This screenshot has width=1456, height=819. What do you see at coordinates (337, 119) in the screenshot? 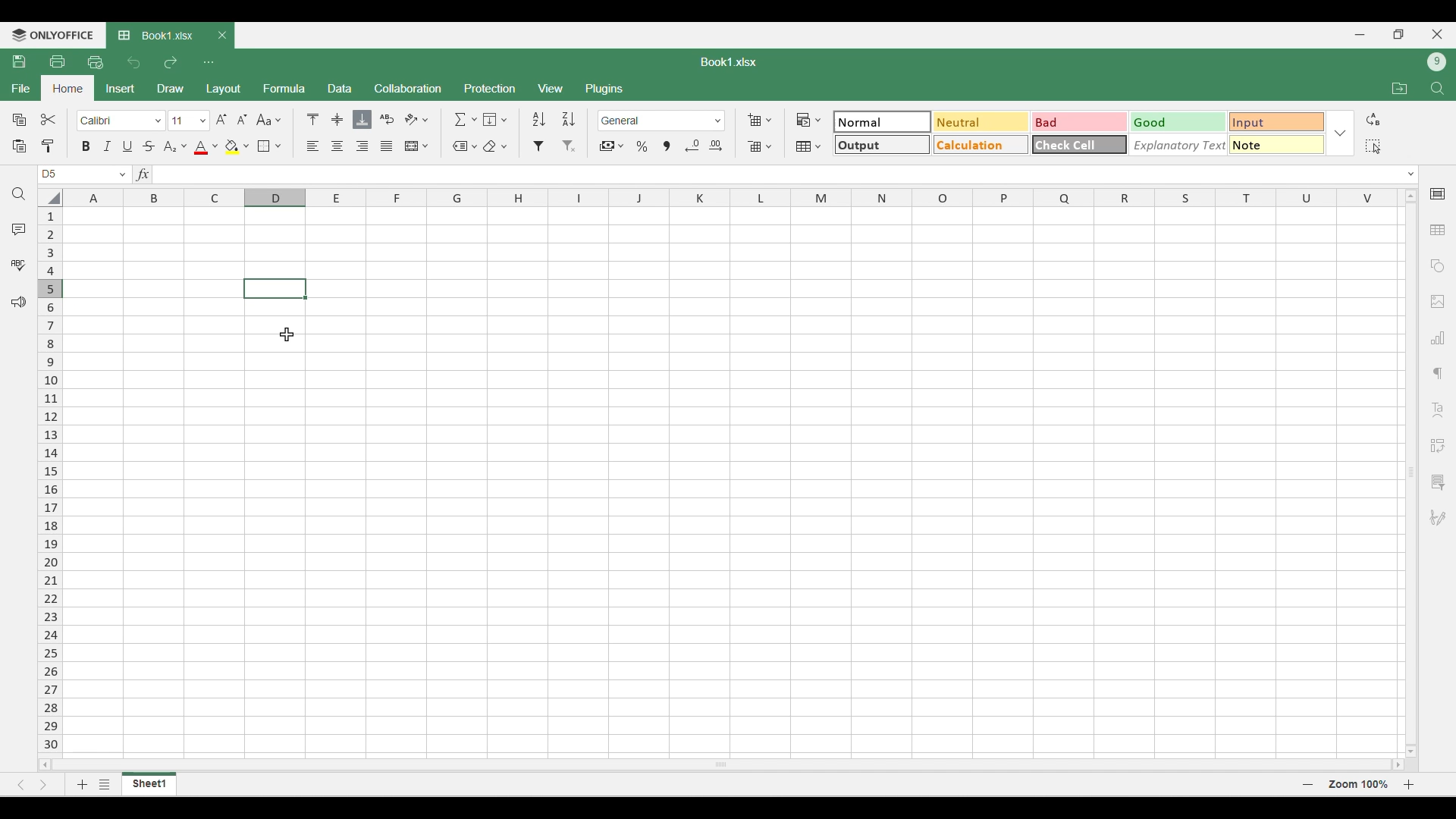
I see `Position alignment options` at bounding box center [337, 119].